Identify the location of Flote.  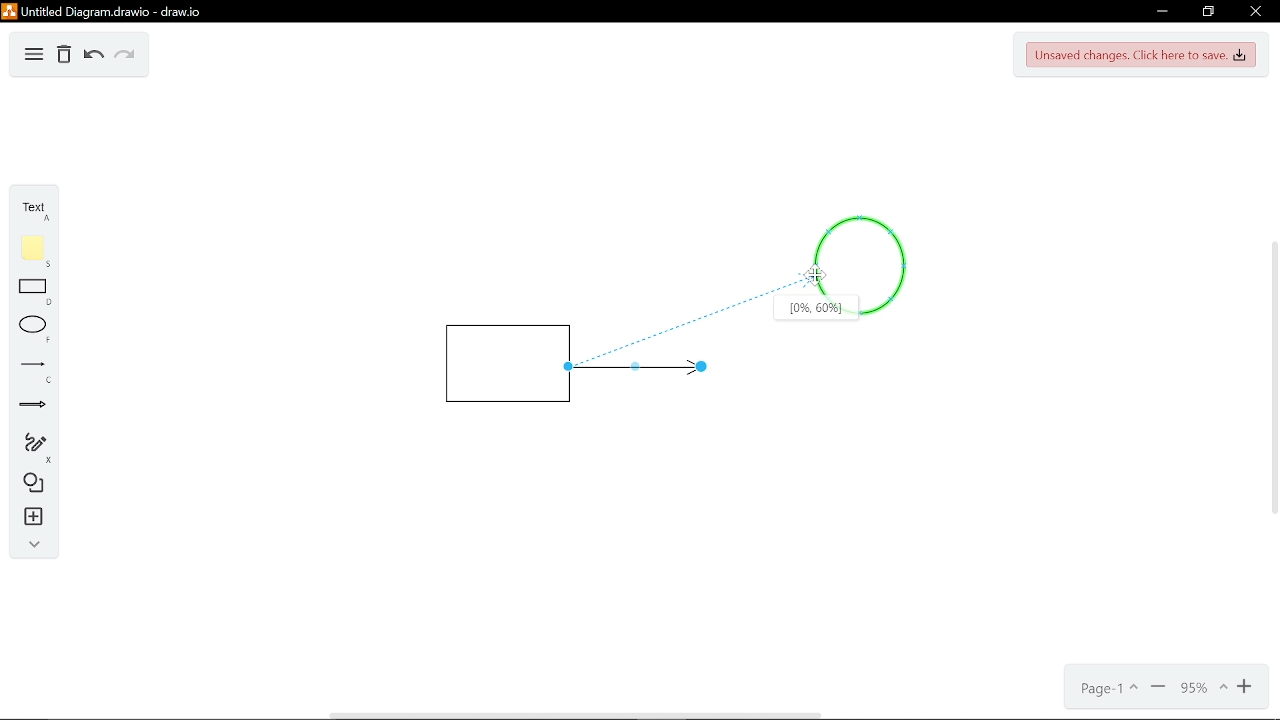
(30, 251).